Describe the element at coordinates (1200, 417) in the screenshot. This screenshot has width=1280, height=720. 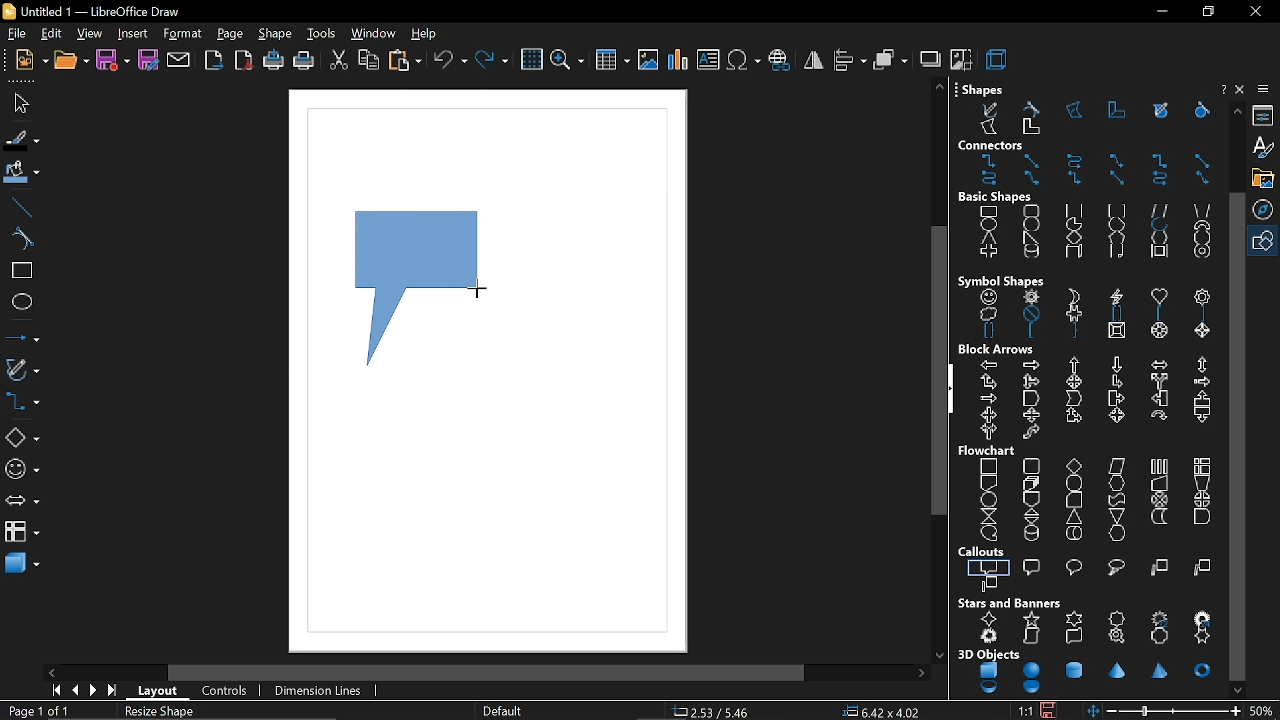
I see `down arrow callout` at that location.